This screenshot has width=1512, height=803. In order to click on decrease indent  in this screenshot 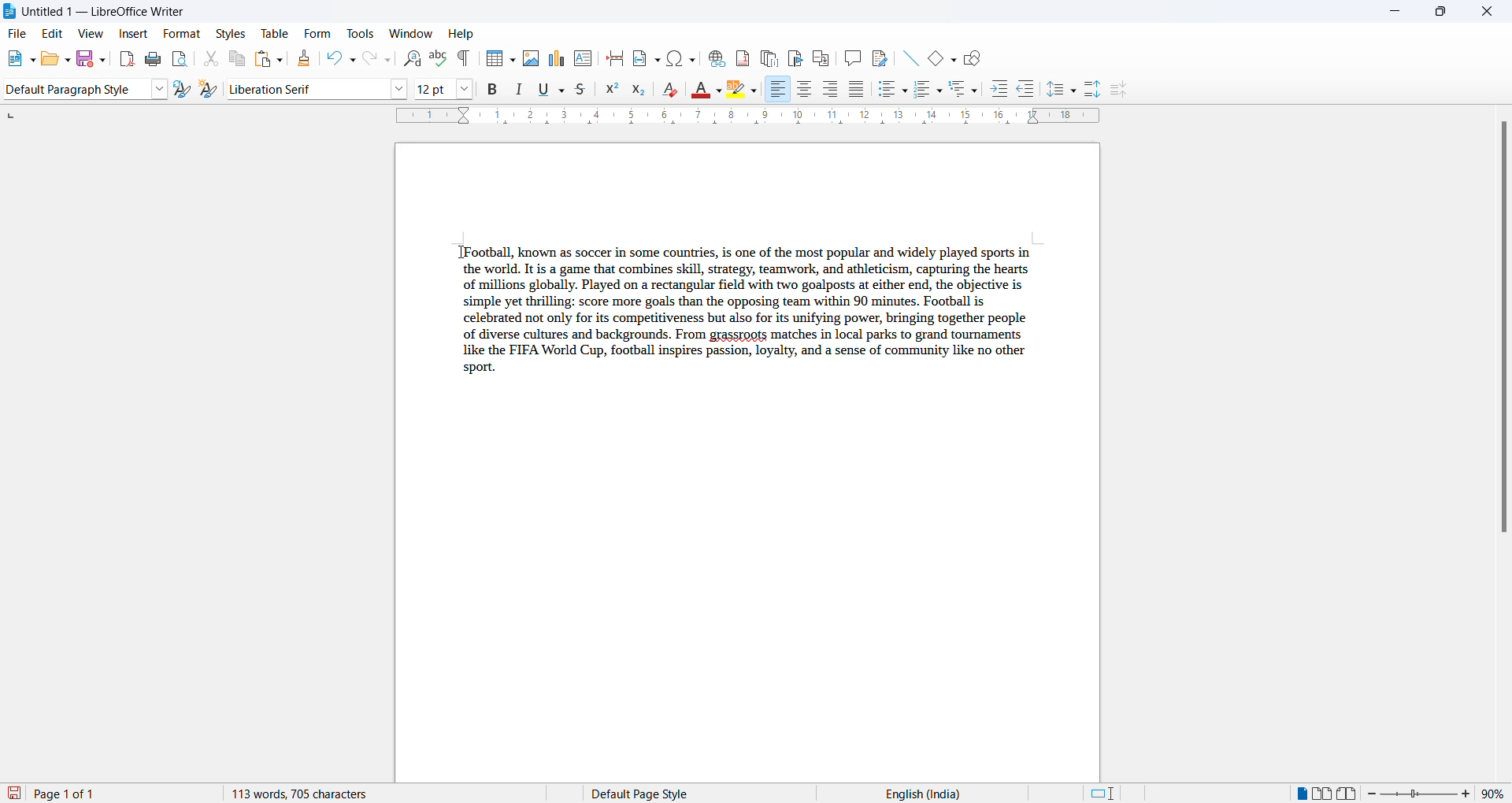, I will do `click(1028, 88)`.